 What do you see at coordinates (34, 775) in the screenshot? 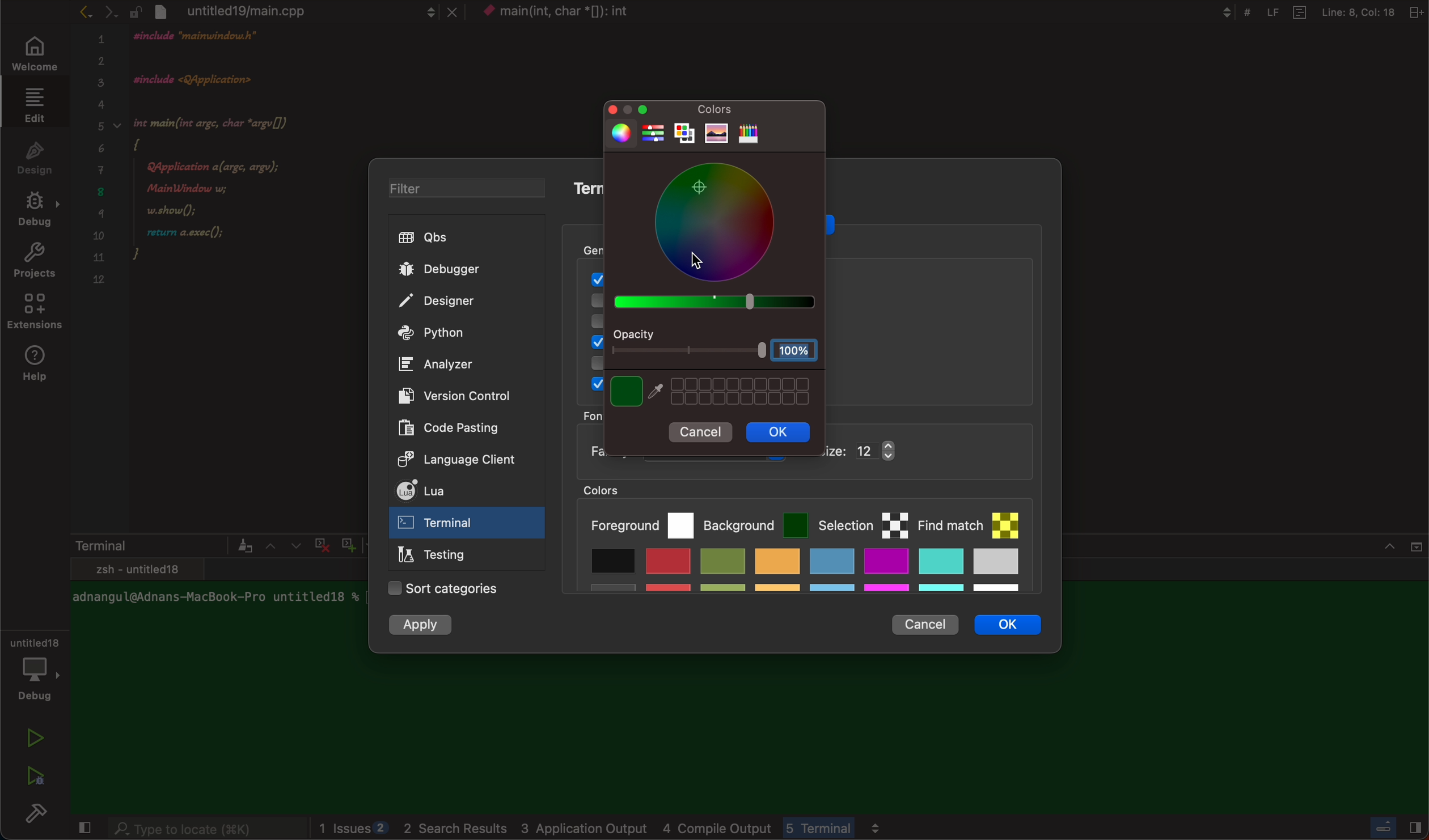
I see `run and debug` at bounding box center [34, 775].